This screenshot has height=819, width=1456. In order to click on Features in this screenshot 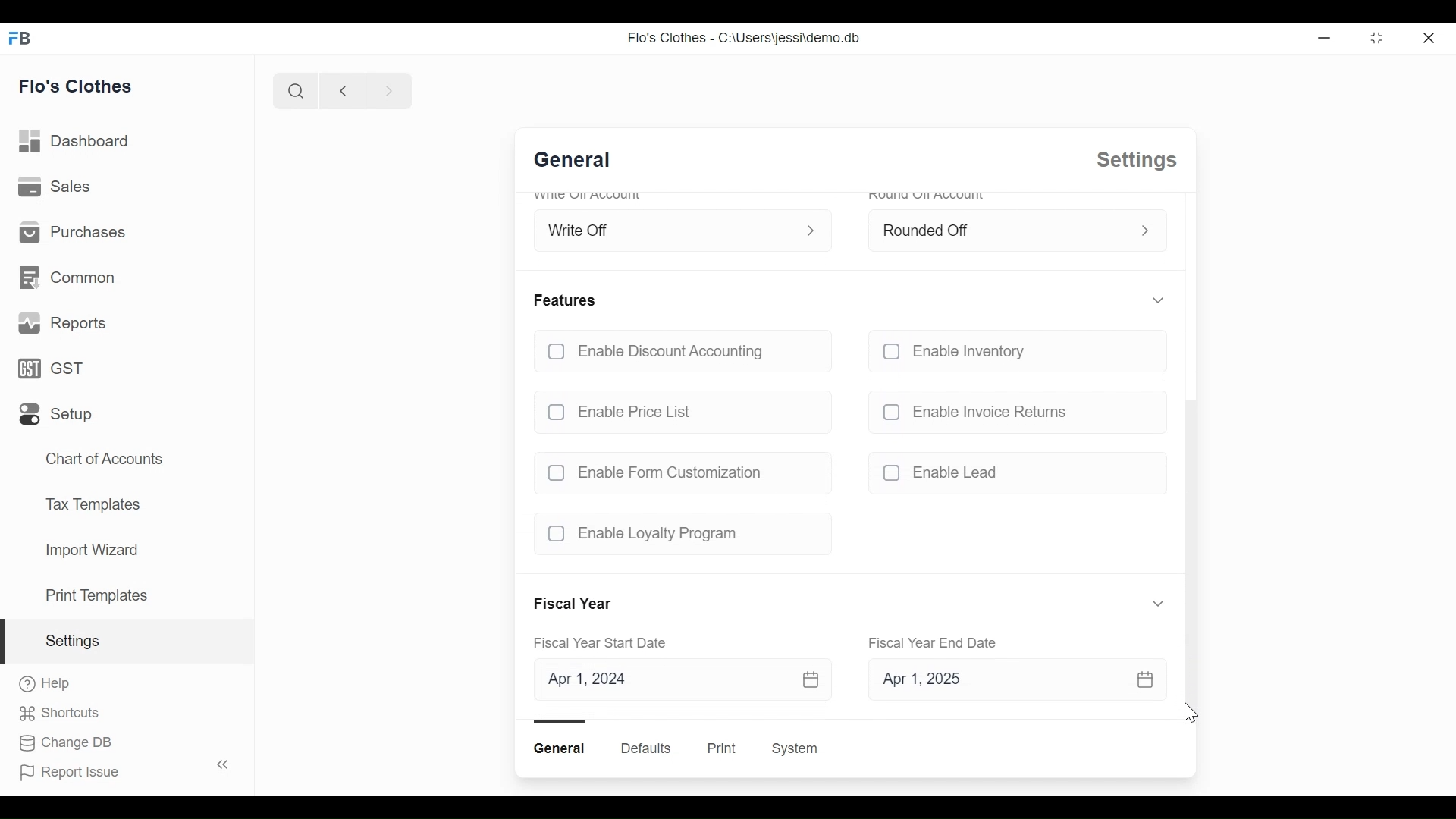, I will do `click(567, 300)`.